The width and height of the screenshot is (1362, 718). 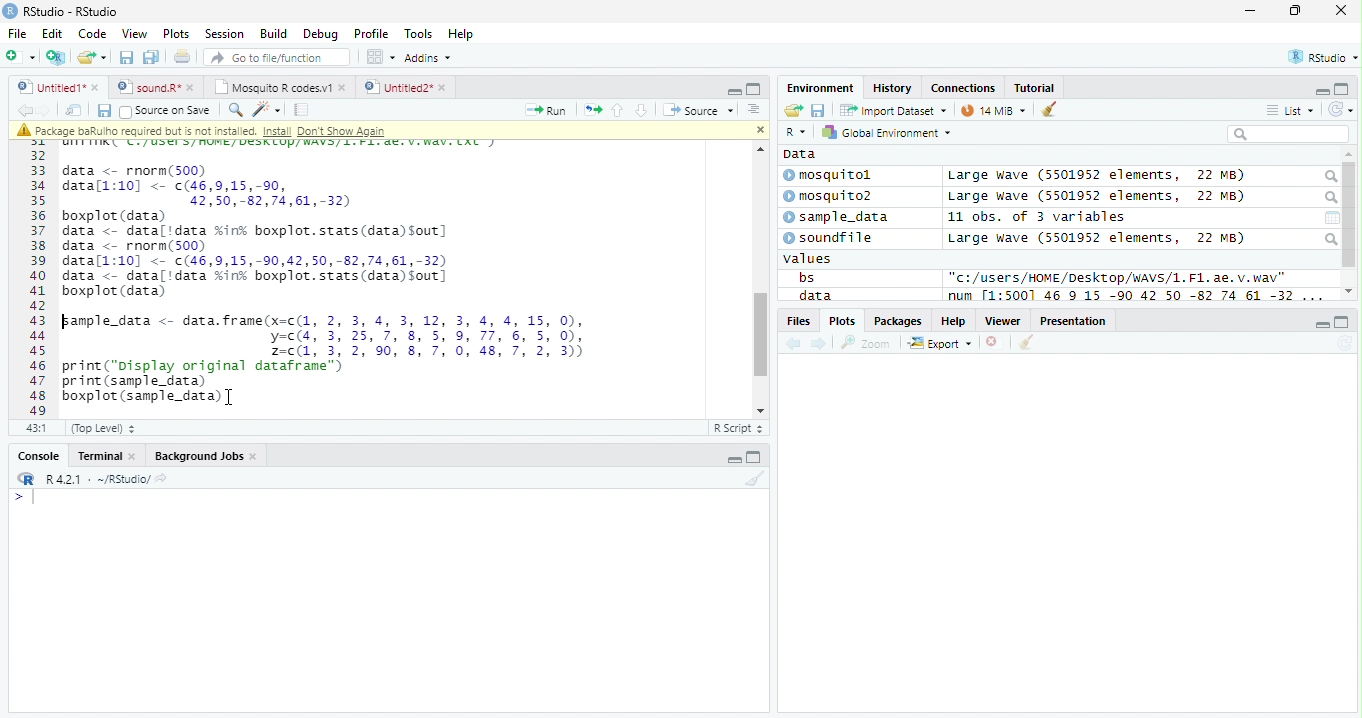 What do you see at coordinates (302, 110) in the screenshot?
I see `Compile report` at bounding box center [302, 110].